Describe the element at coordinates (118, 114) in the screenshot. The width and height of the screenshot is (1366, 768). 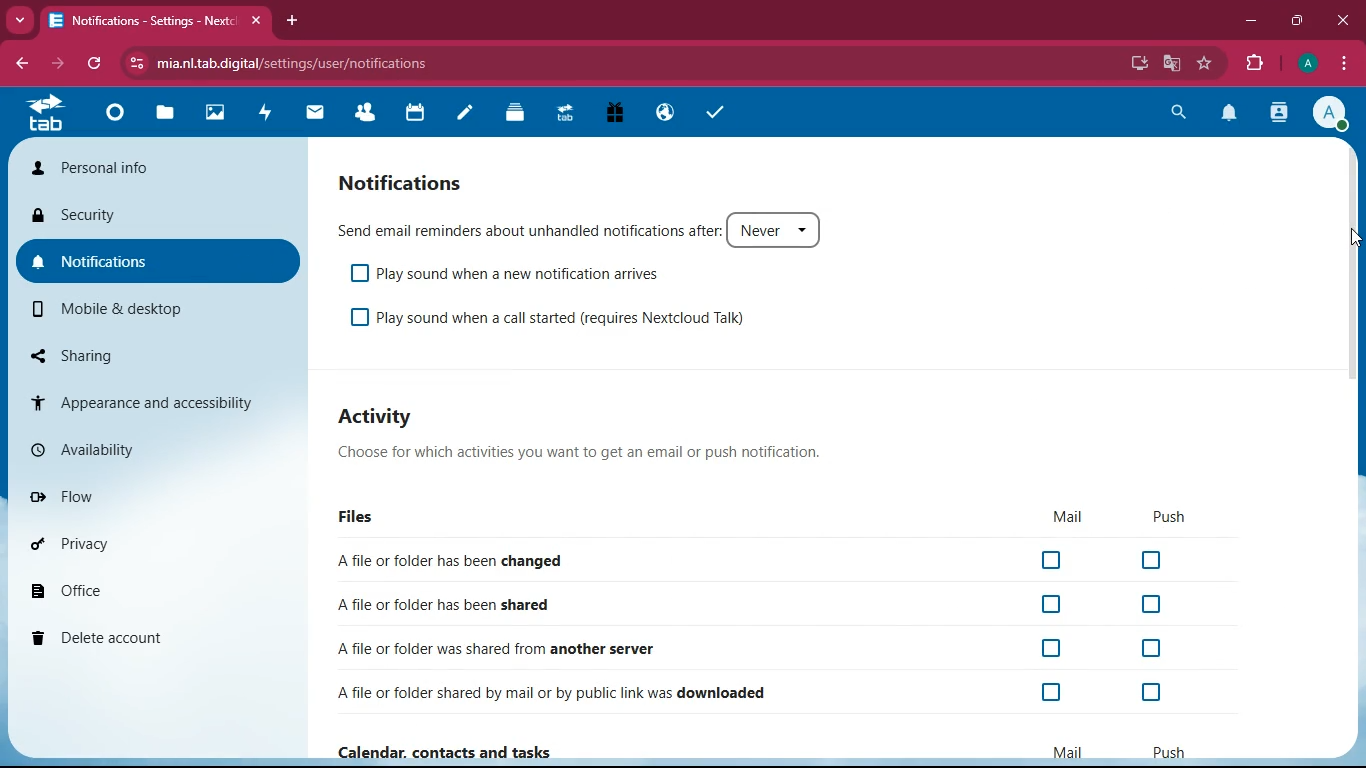
I see `dashboard` at that location.